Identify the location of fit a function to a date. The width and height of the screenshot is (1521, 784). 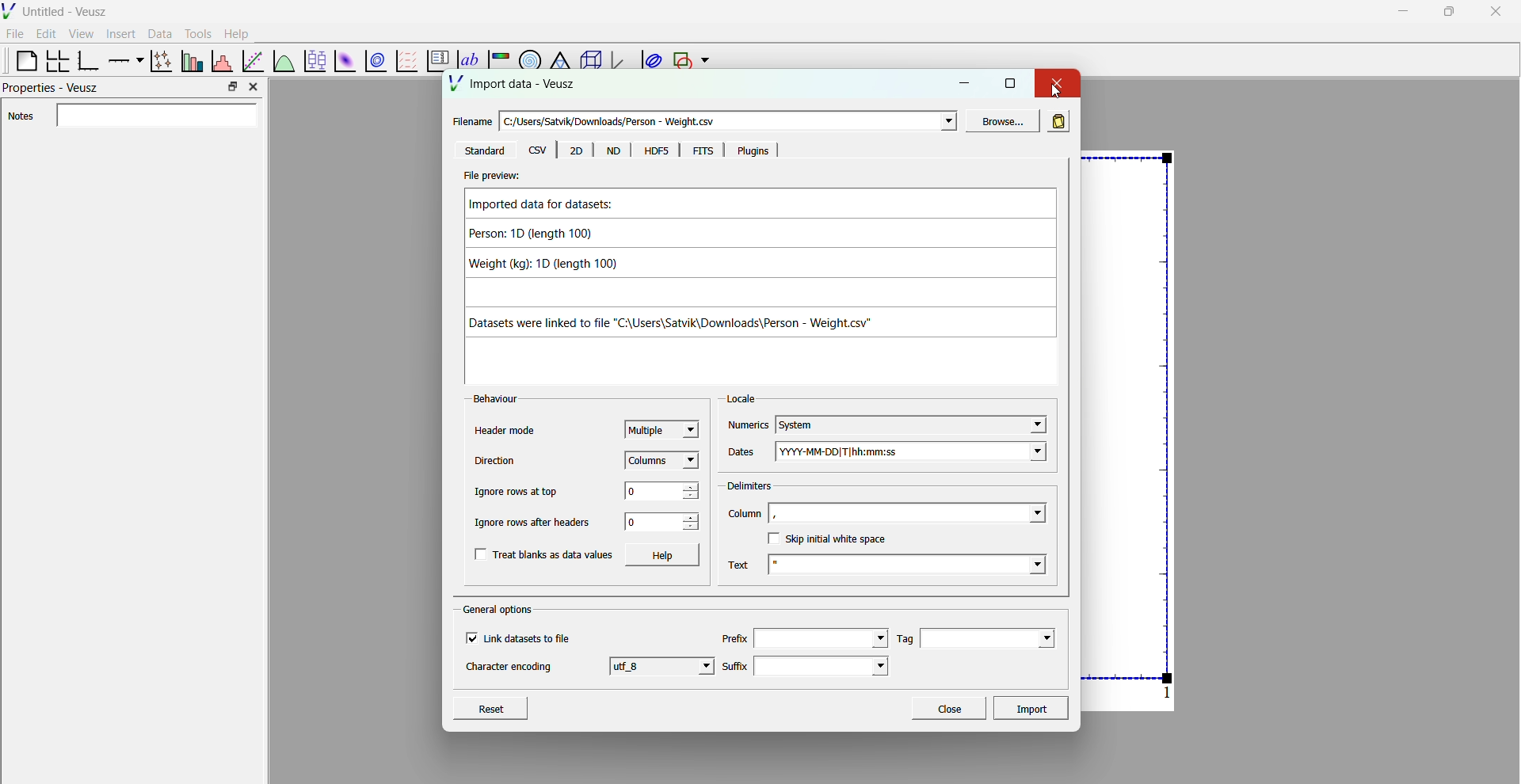
(253, 60).